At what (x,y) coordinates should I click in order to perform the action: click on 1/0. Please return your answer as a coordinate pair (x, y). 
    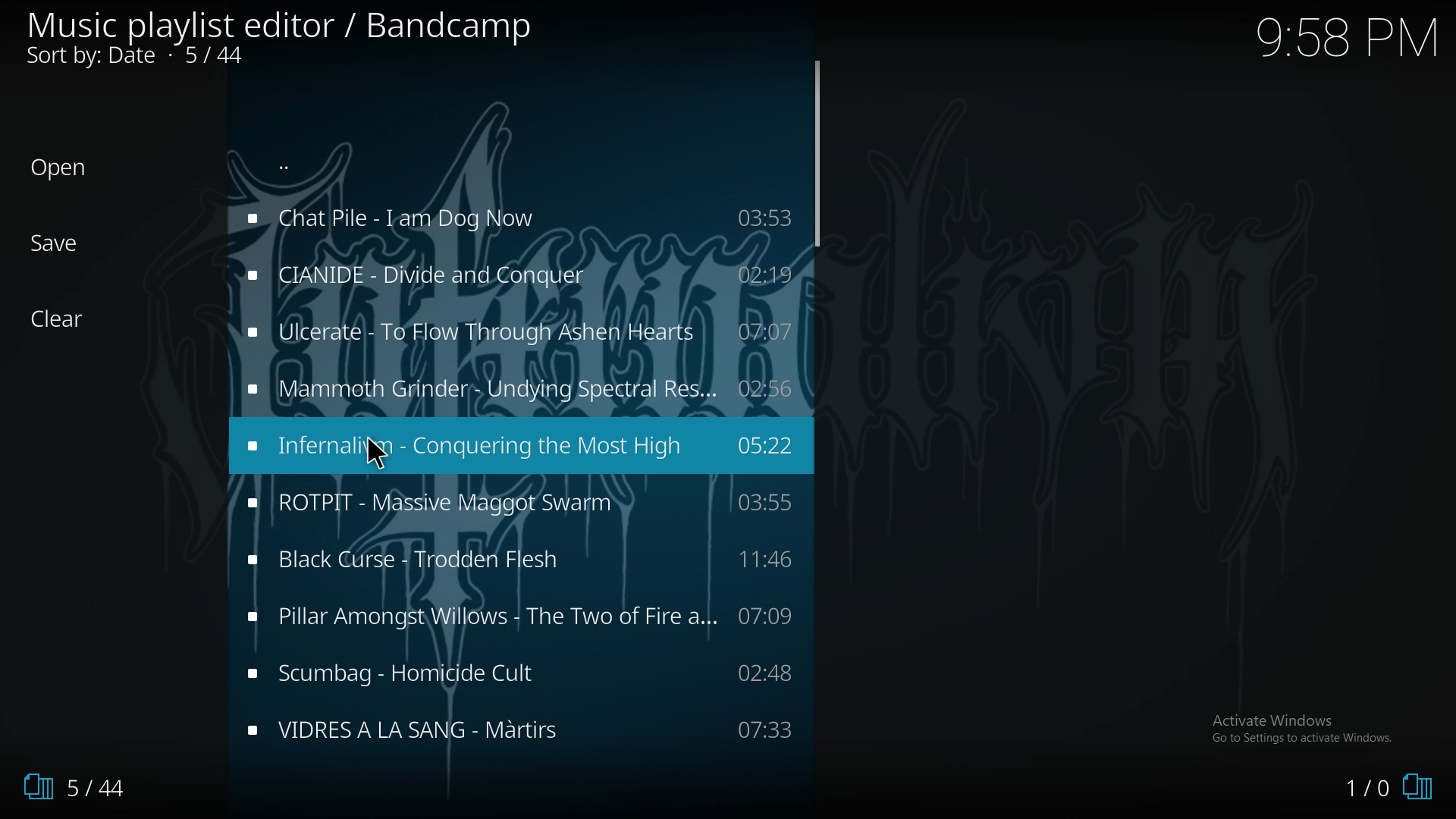
    Looking at the image, I should click on (1388, 789).